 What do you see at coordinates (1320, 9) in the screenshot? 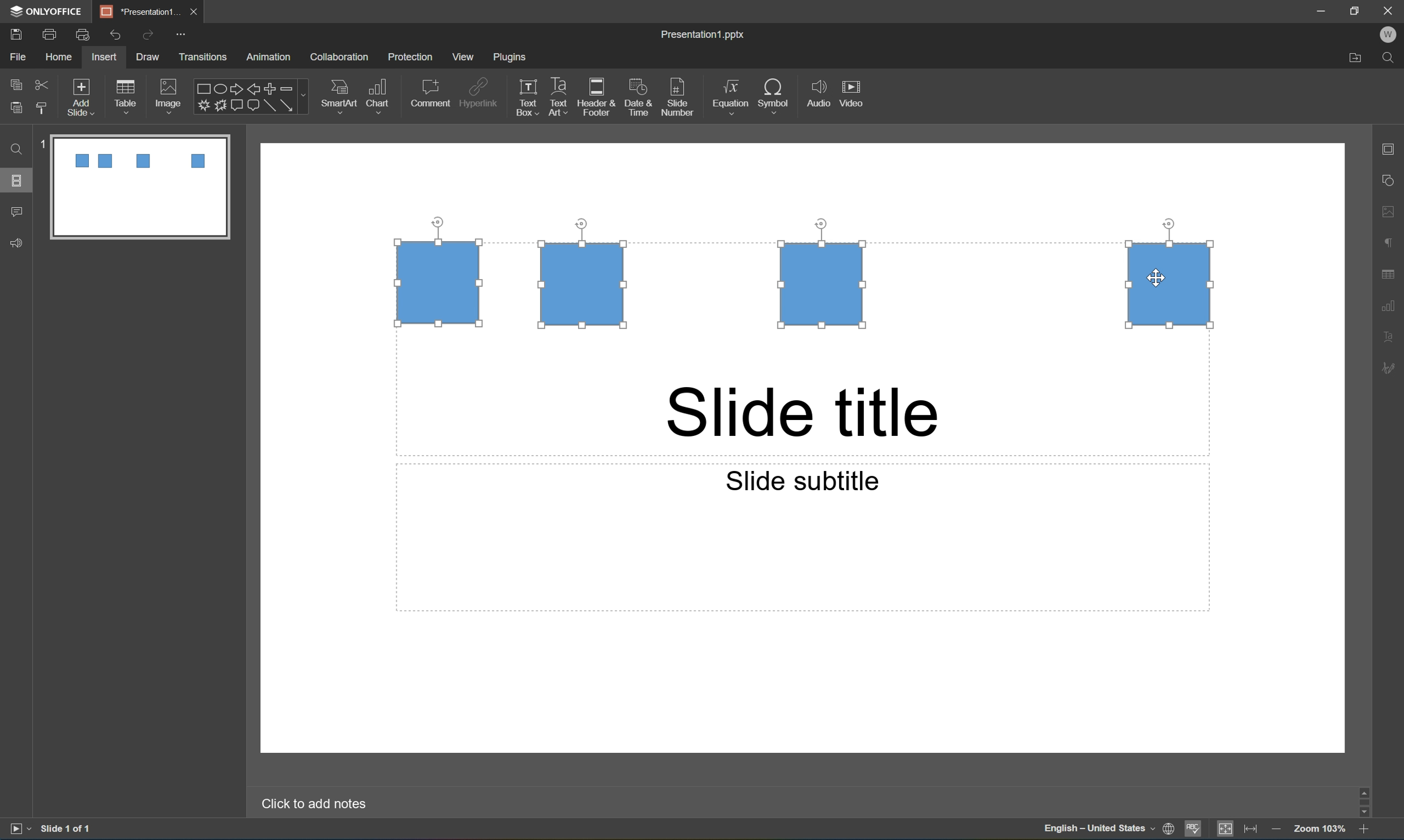
I see `minimize` at bounding box center [1320, 9].